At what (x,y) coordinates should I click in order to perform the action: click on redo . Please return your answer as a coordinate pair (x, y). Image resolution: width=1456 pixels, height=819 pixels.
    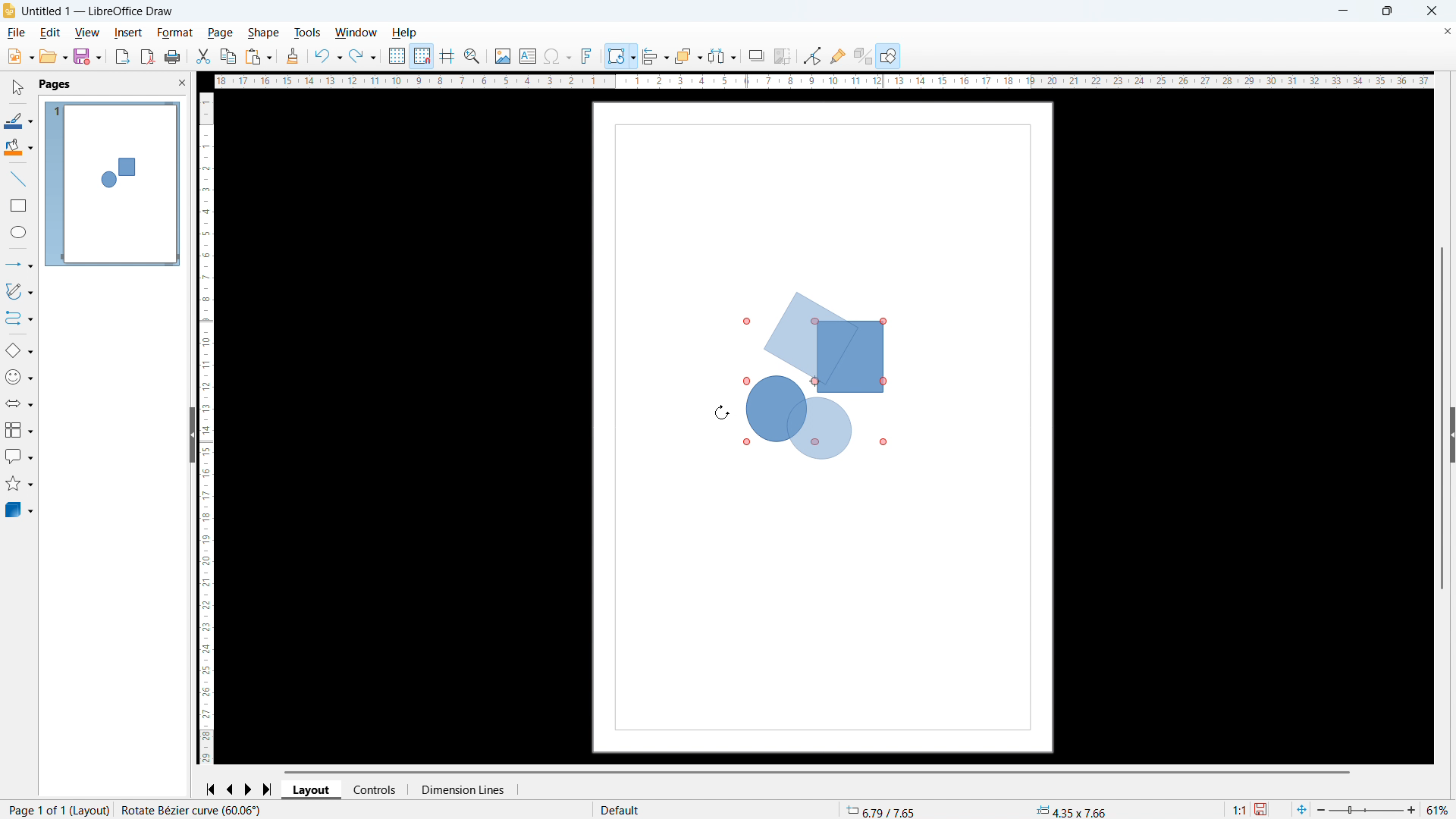
    Looking at the image, I should click on (363, 56).